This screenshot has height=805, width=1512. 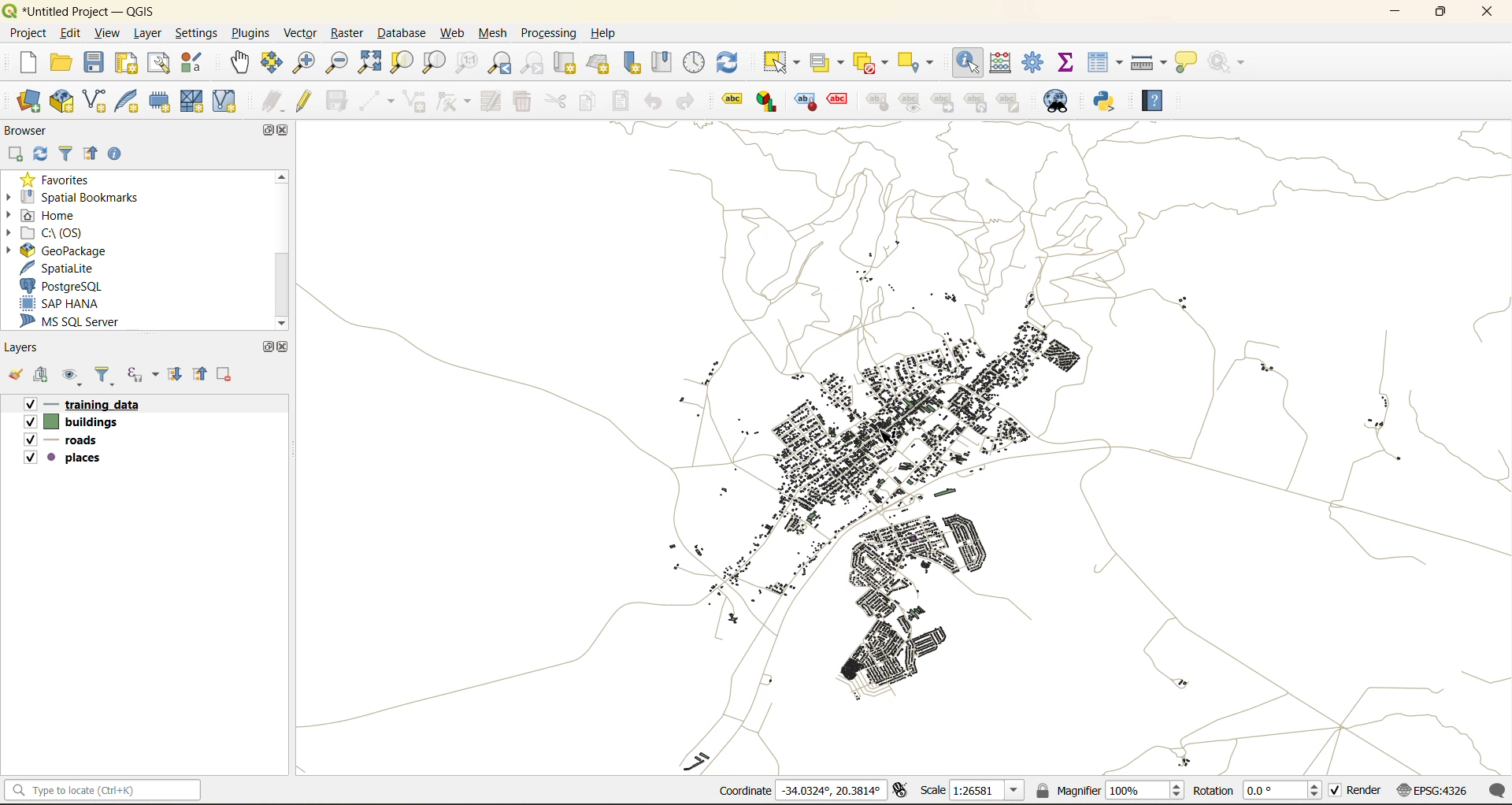 What do you see at coordinates (29, 102) in the screenshot?
I see `open data source manager` at bounding box center [29, 102].